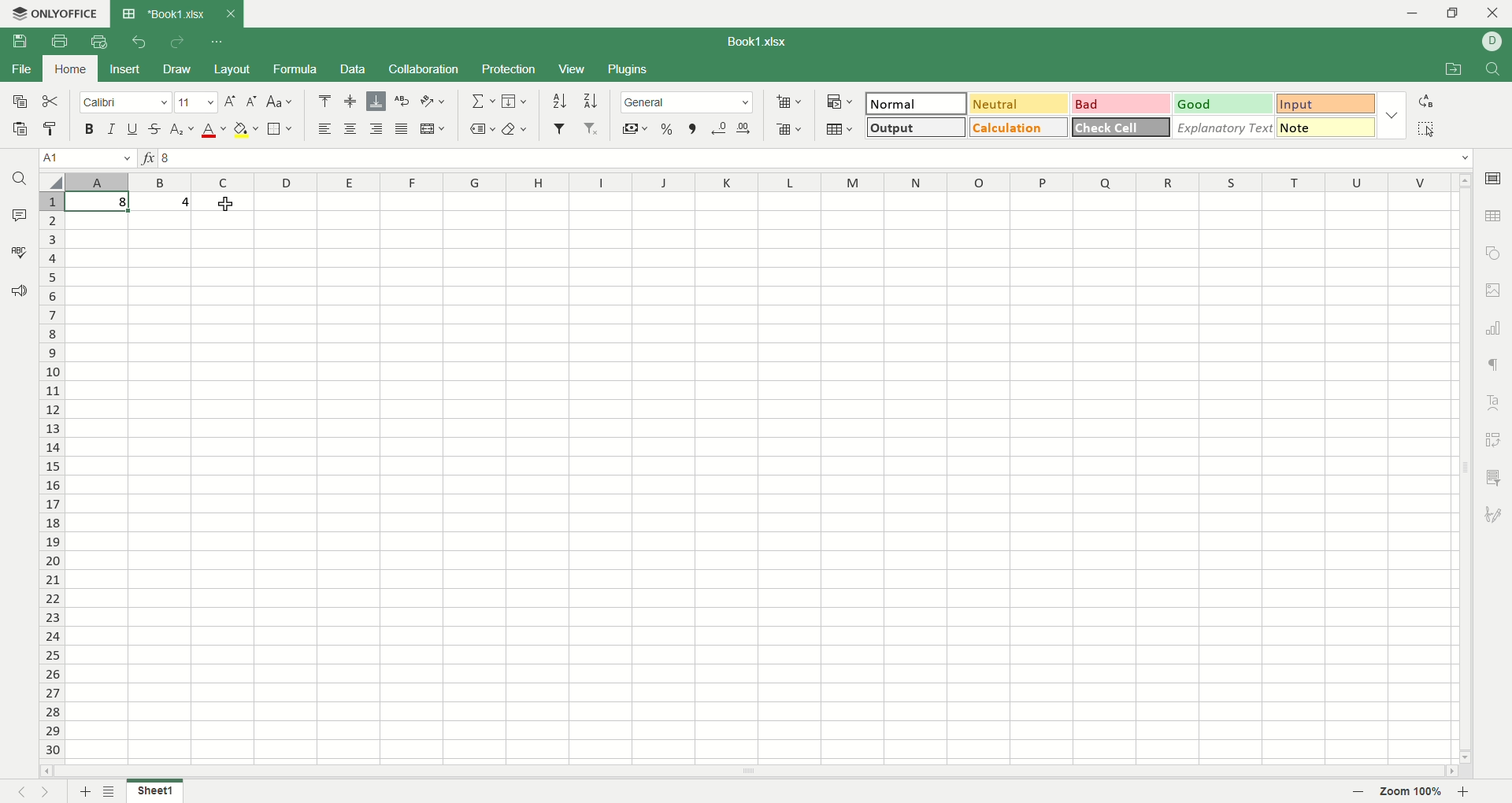  What do you see at coordinates (592, 101) in the screenshot?
I see `sort descending` at bounding box center [592, 101].